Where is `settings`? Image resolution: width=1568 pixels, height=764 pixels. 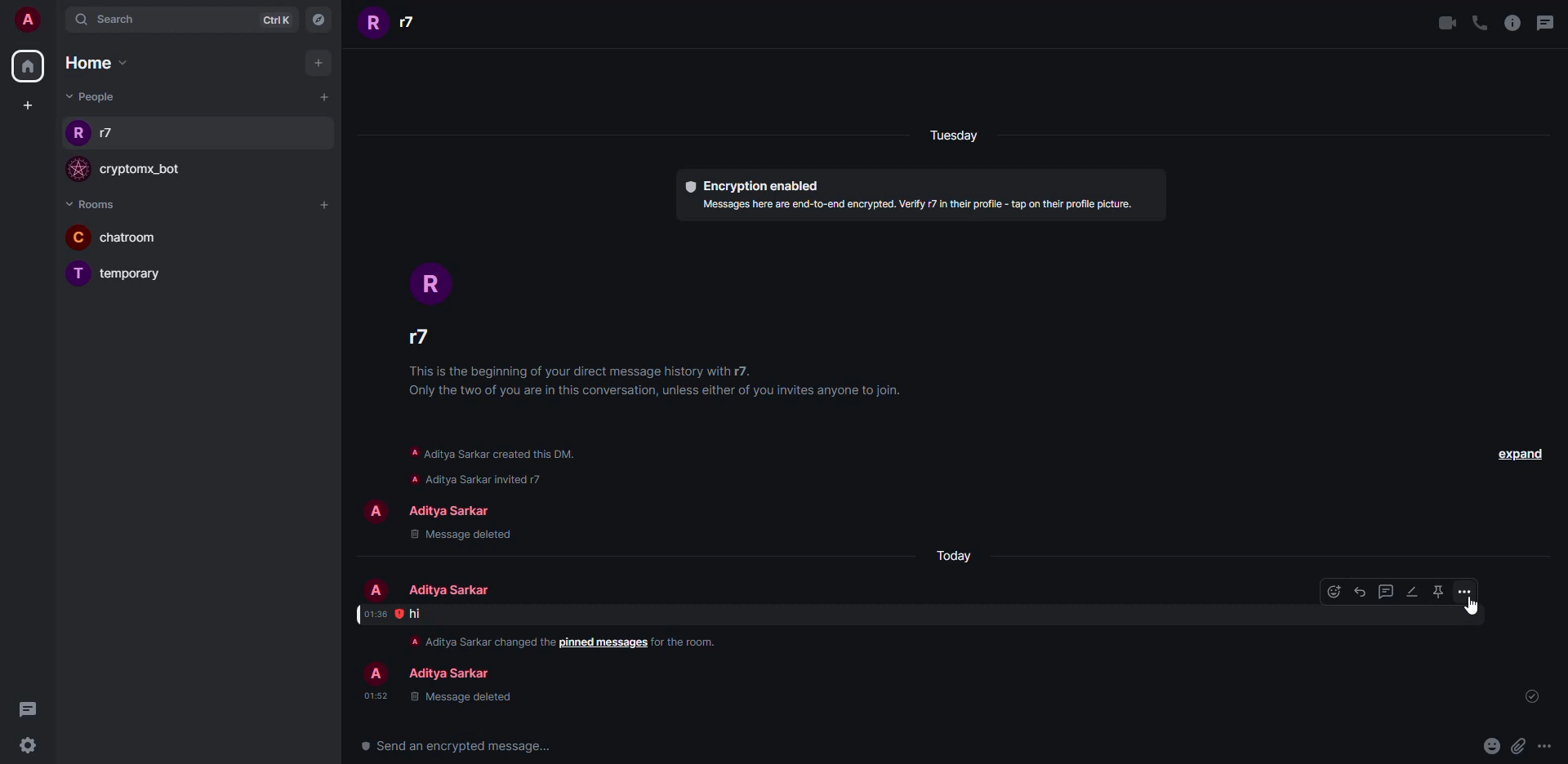 settings is located at coordinates (28, 746).